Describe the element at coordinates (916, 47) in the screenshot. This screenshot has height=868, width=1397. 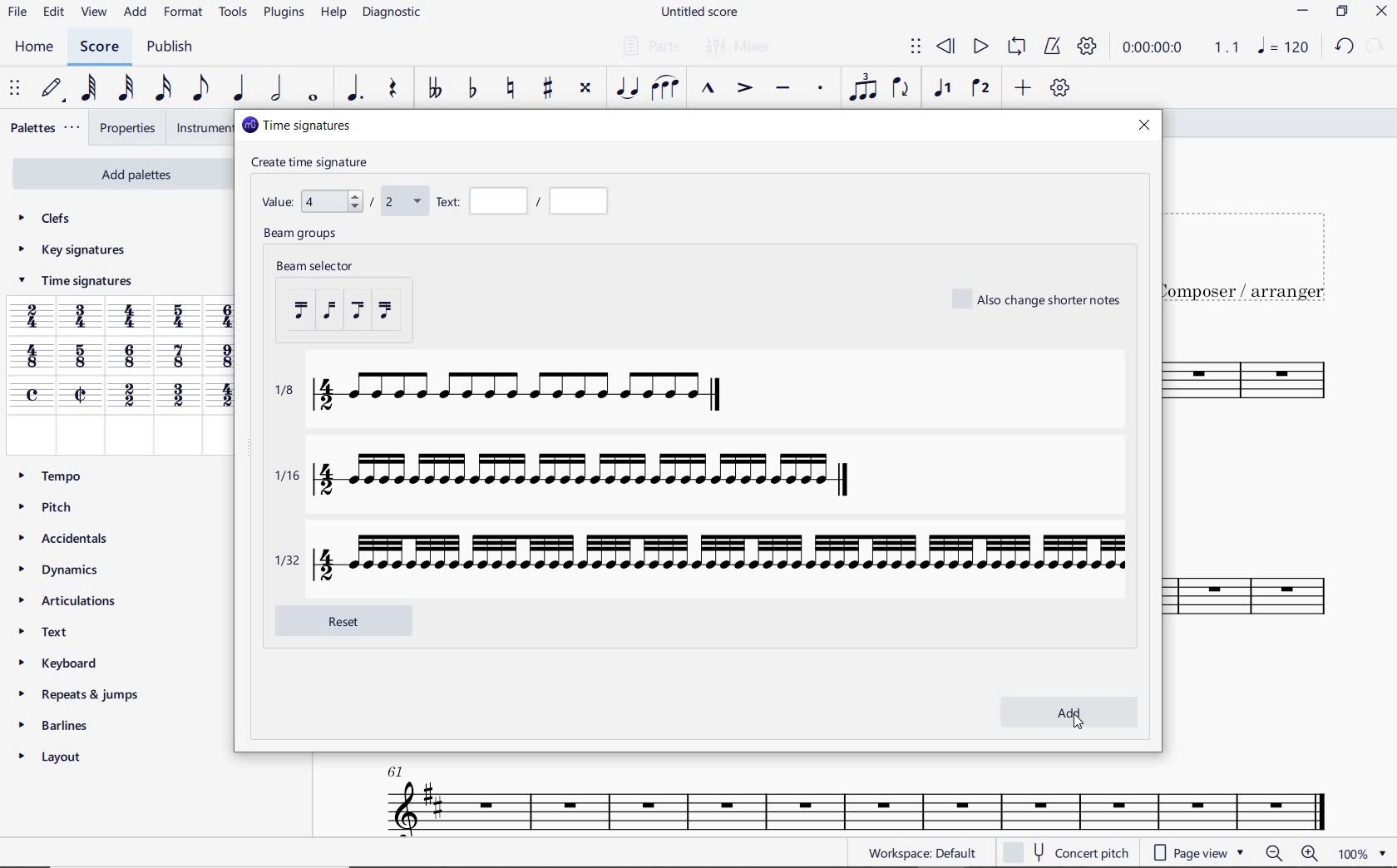
I see `SELECT TO MOVE` at that location.